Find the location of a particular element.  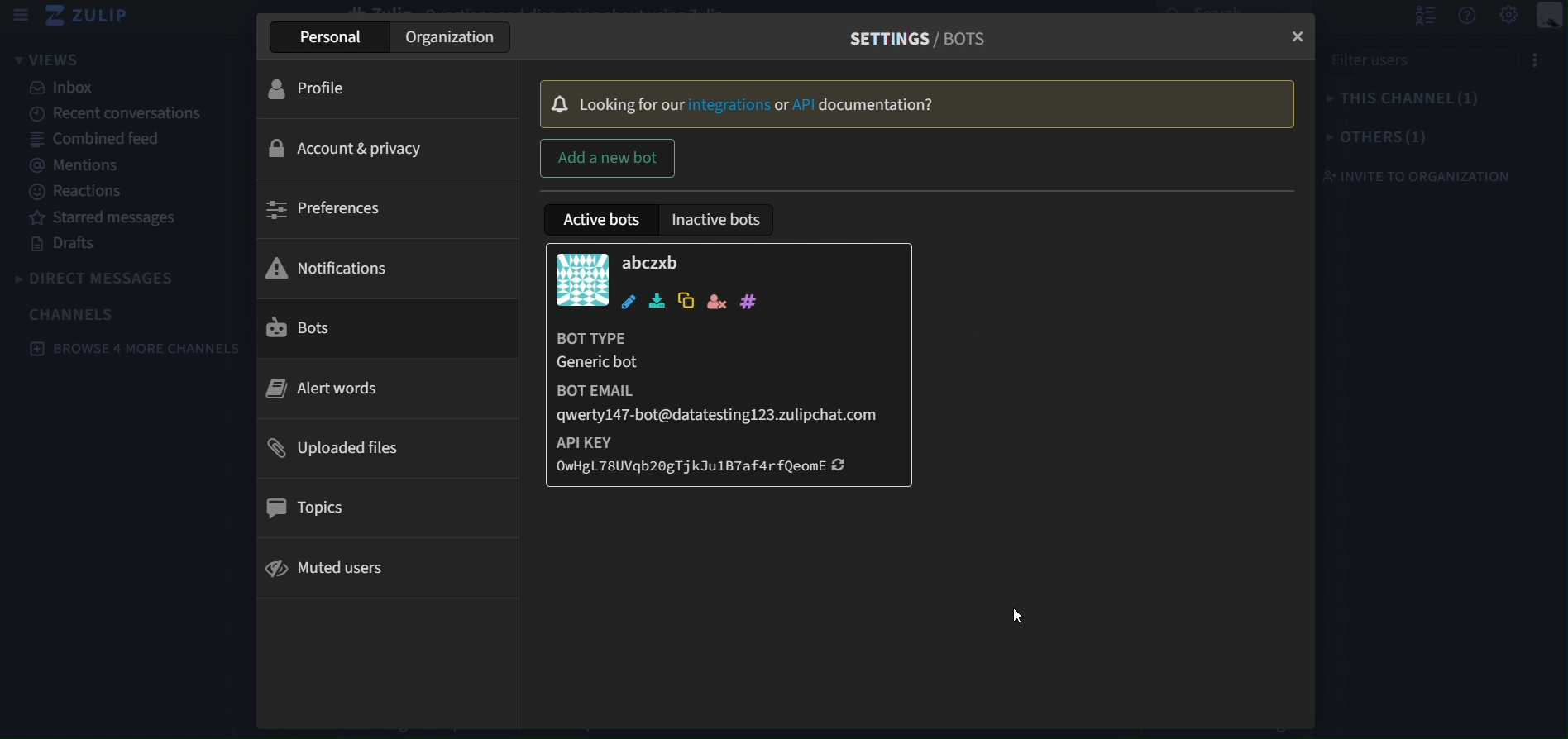

starred messages is located at coordinates (107, 216).